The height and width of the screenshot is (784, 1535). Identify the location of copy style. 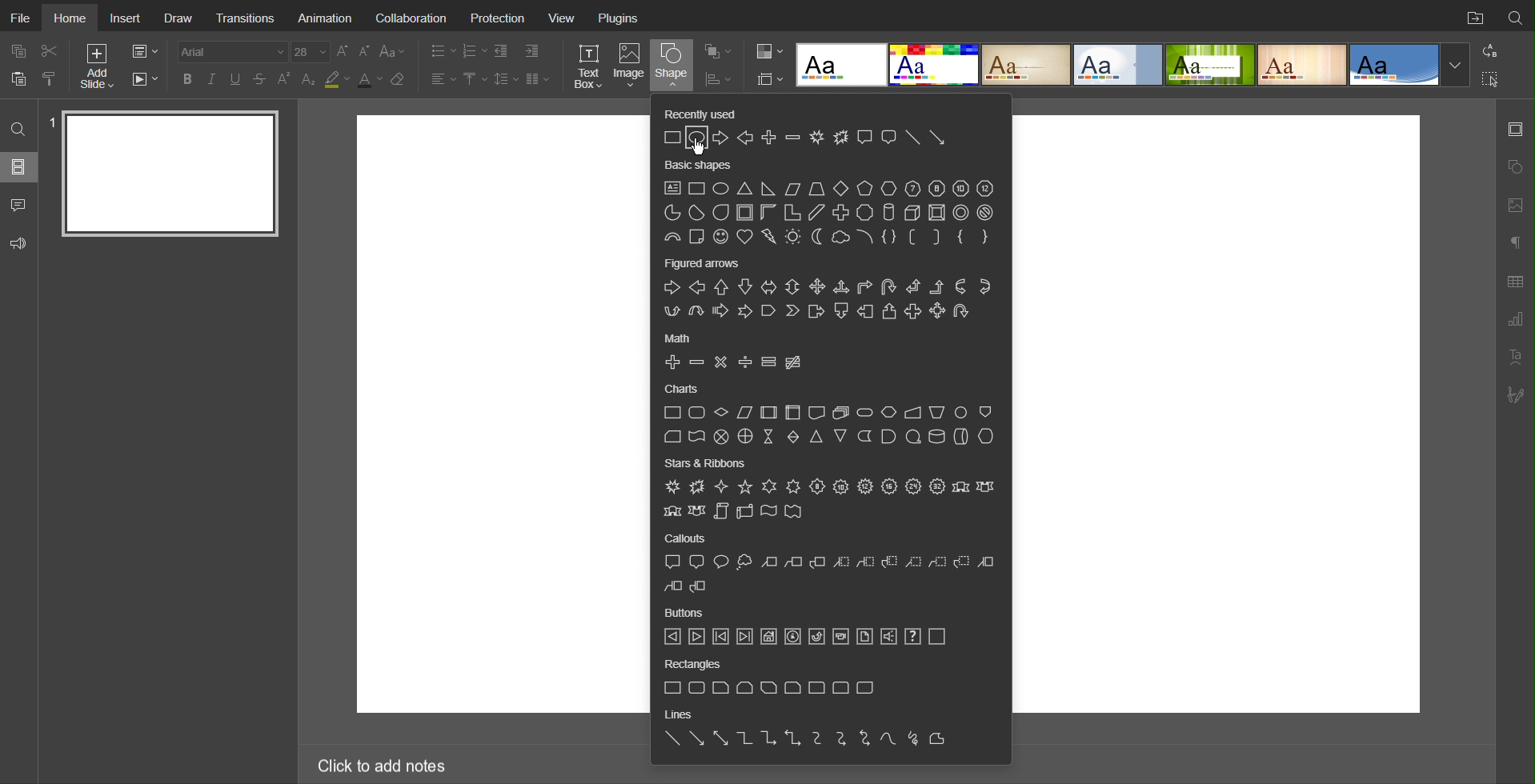
(55, 78).